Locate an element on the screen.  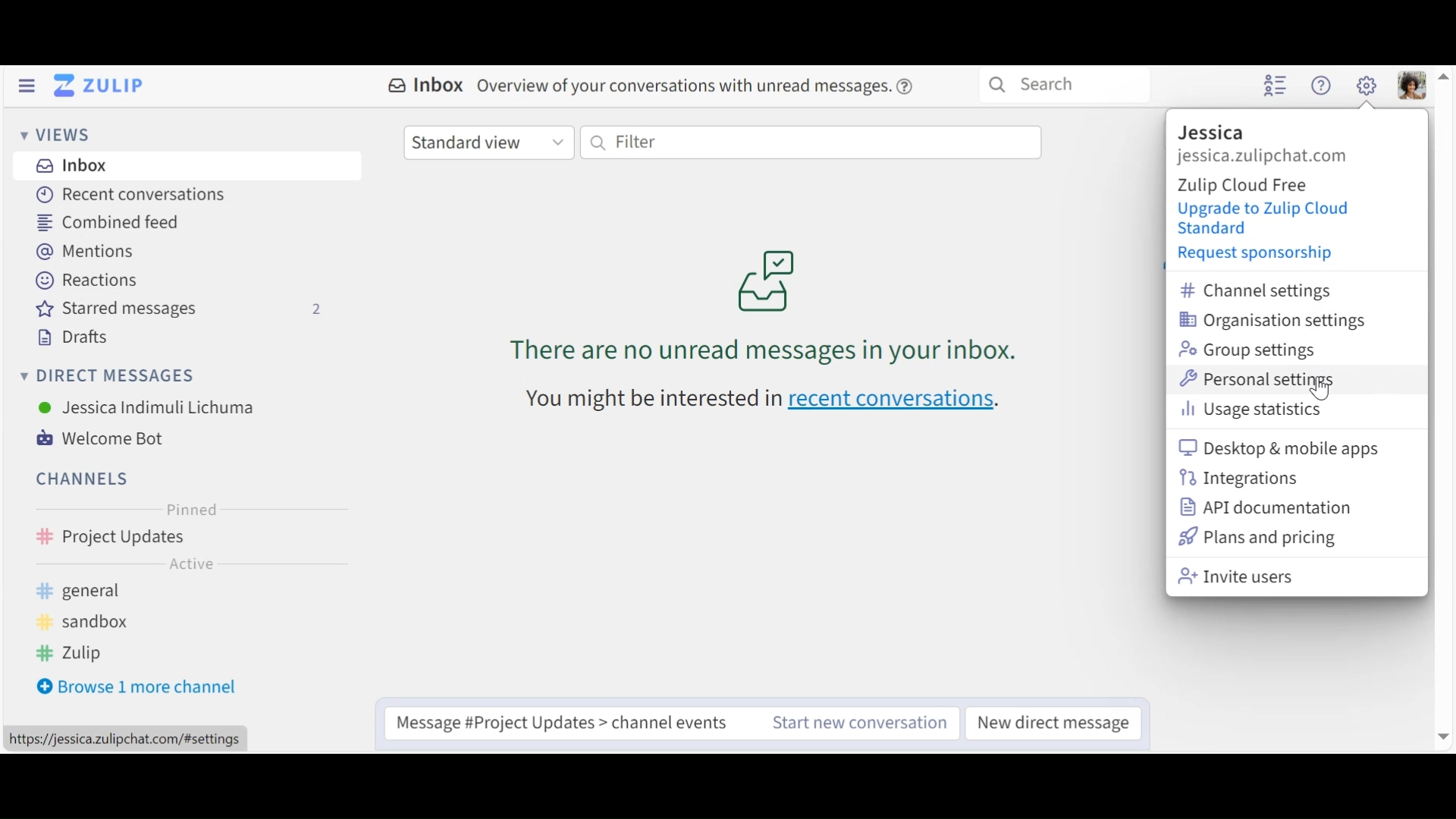
Starred messages is located at coordinates (184, 311).